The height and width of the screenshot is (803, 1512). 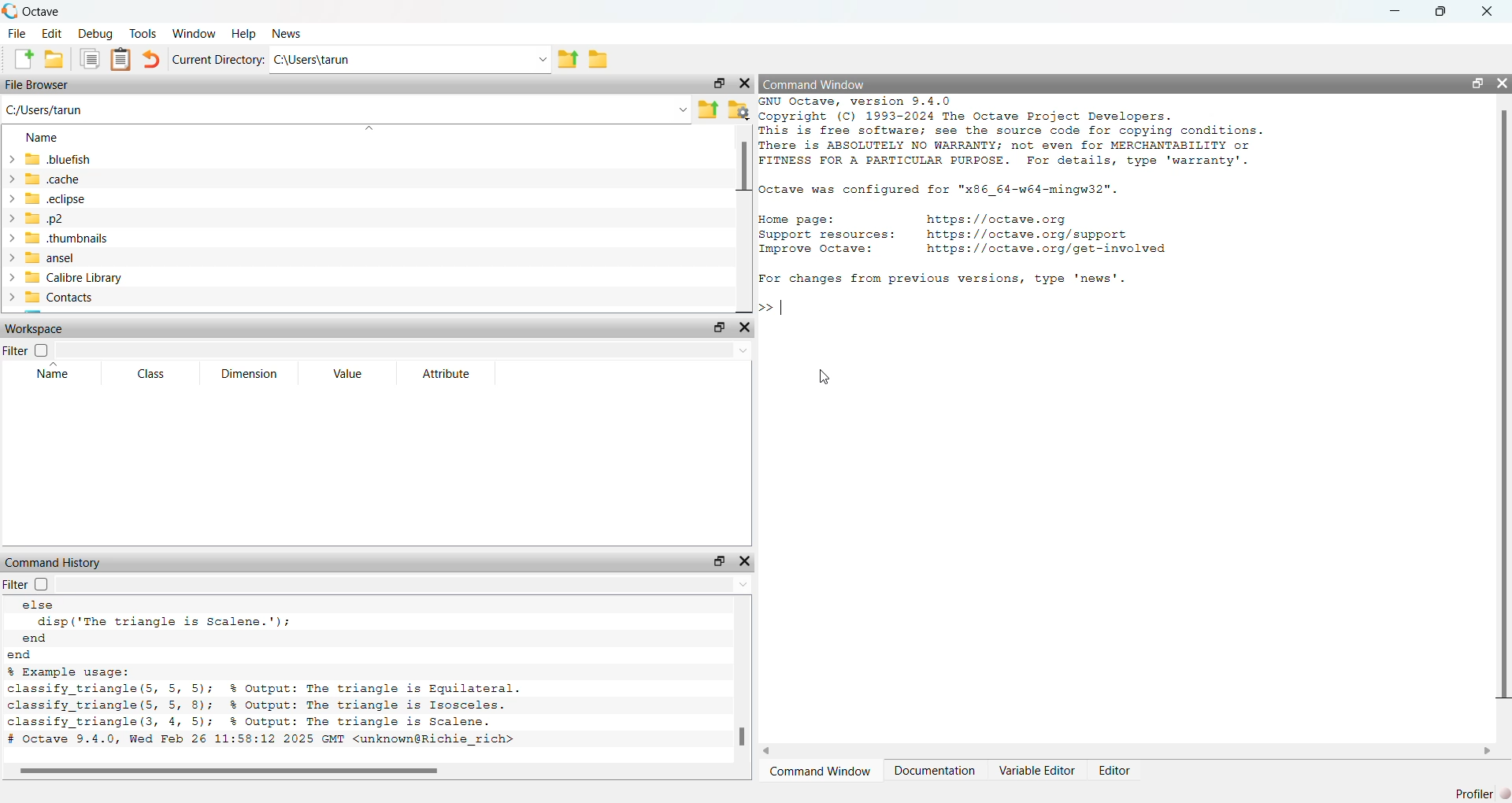 What do you see at coordinates (43, 136) in the screenshot?
I see `Name` at bounding box center [43, 136].